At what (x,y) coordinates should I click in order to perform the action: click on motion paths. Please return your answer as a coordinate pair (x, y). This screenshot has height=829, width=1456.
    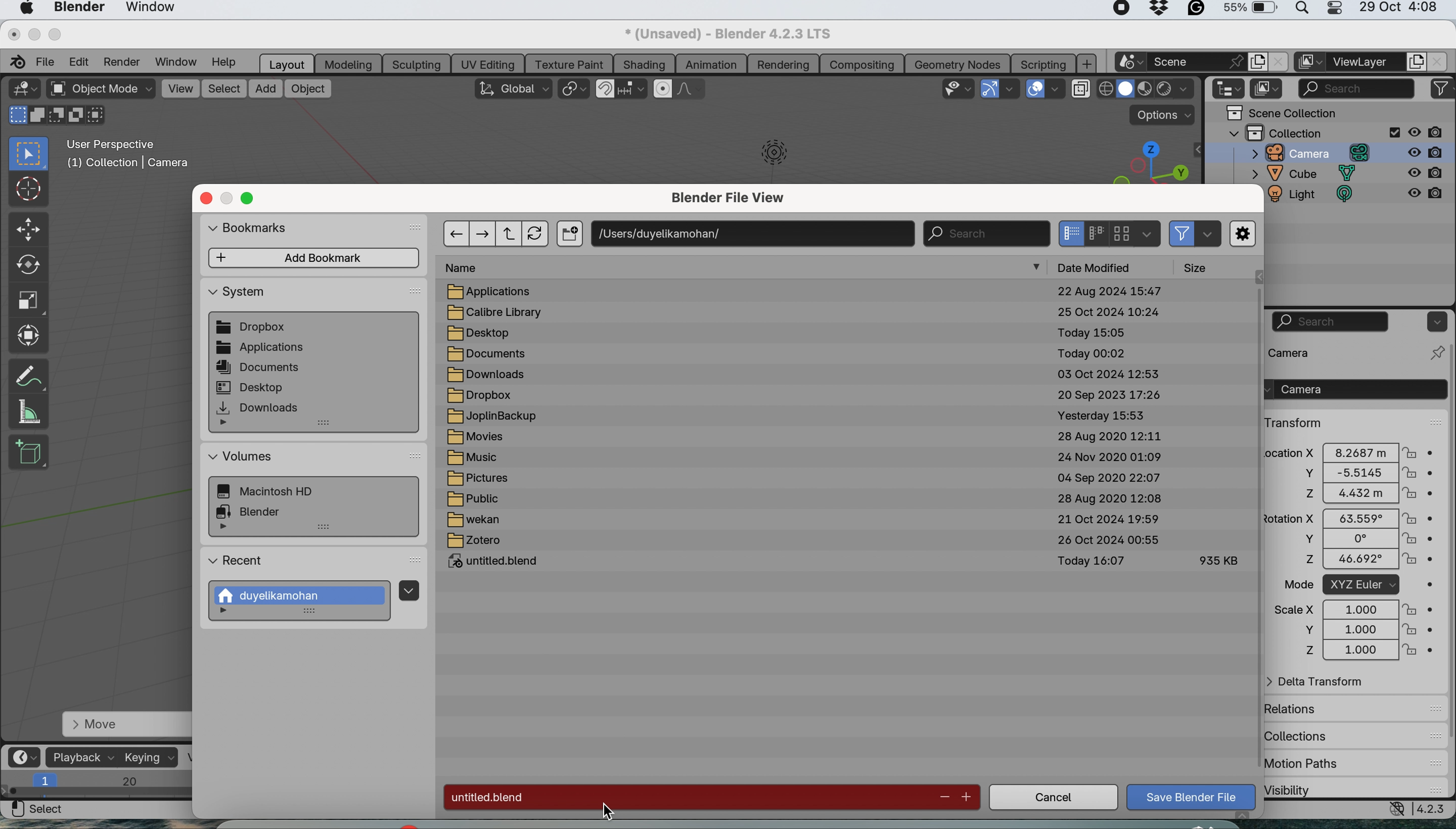
    Looking at the image, I should click on (1324, 764).